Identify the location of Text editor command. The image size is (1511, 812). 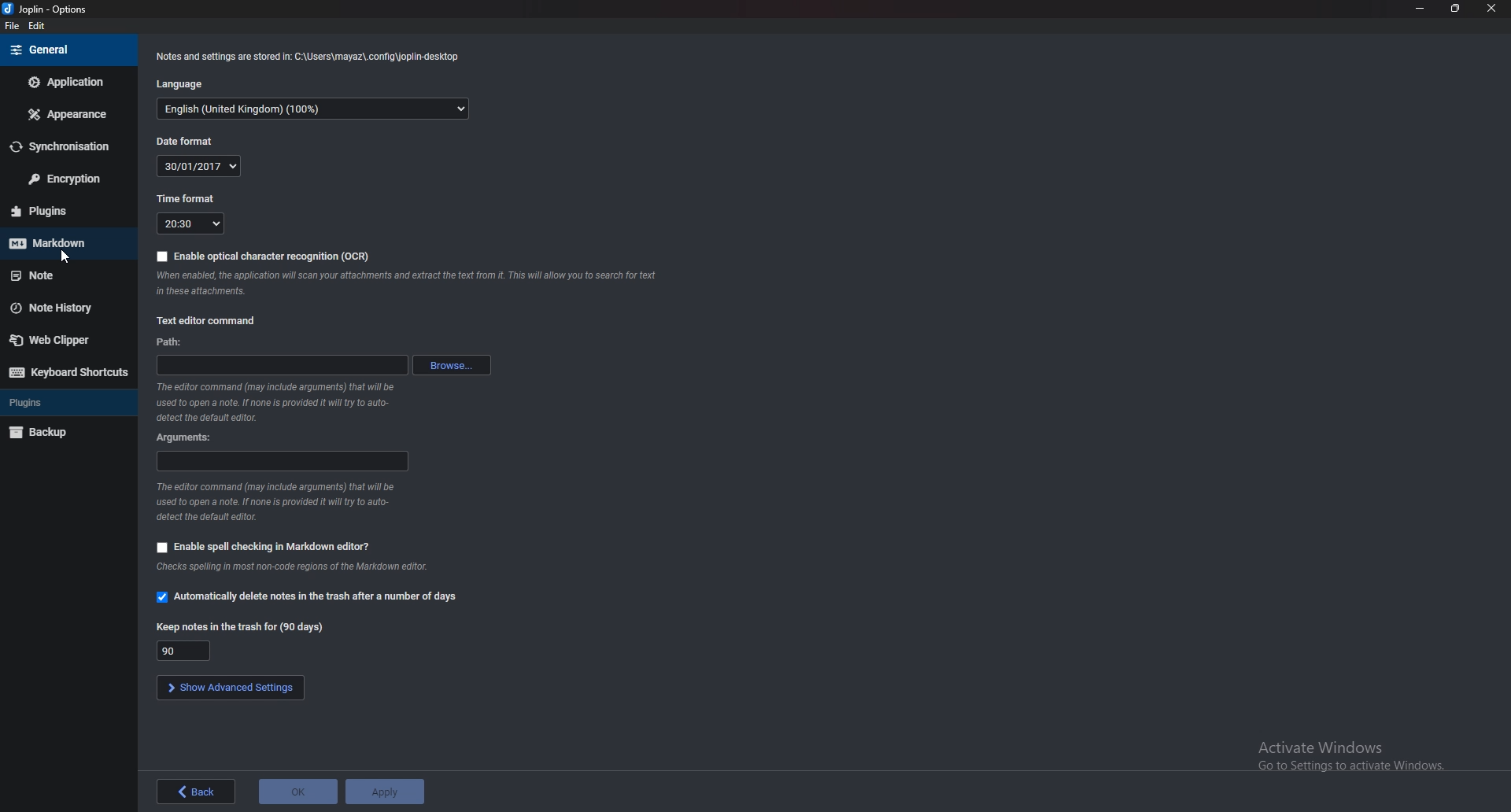
(209, 321).